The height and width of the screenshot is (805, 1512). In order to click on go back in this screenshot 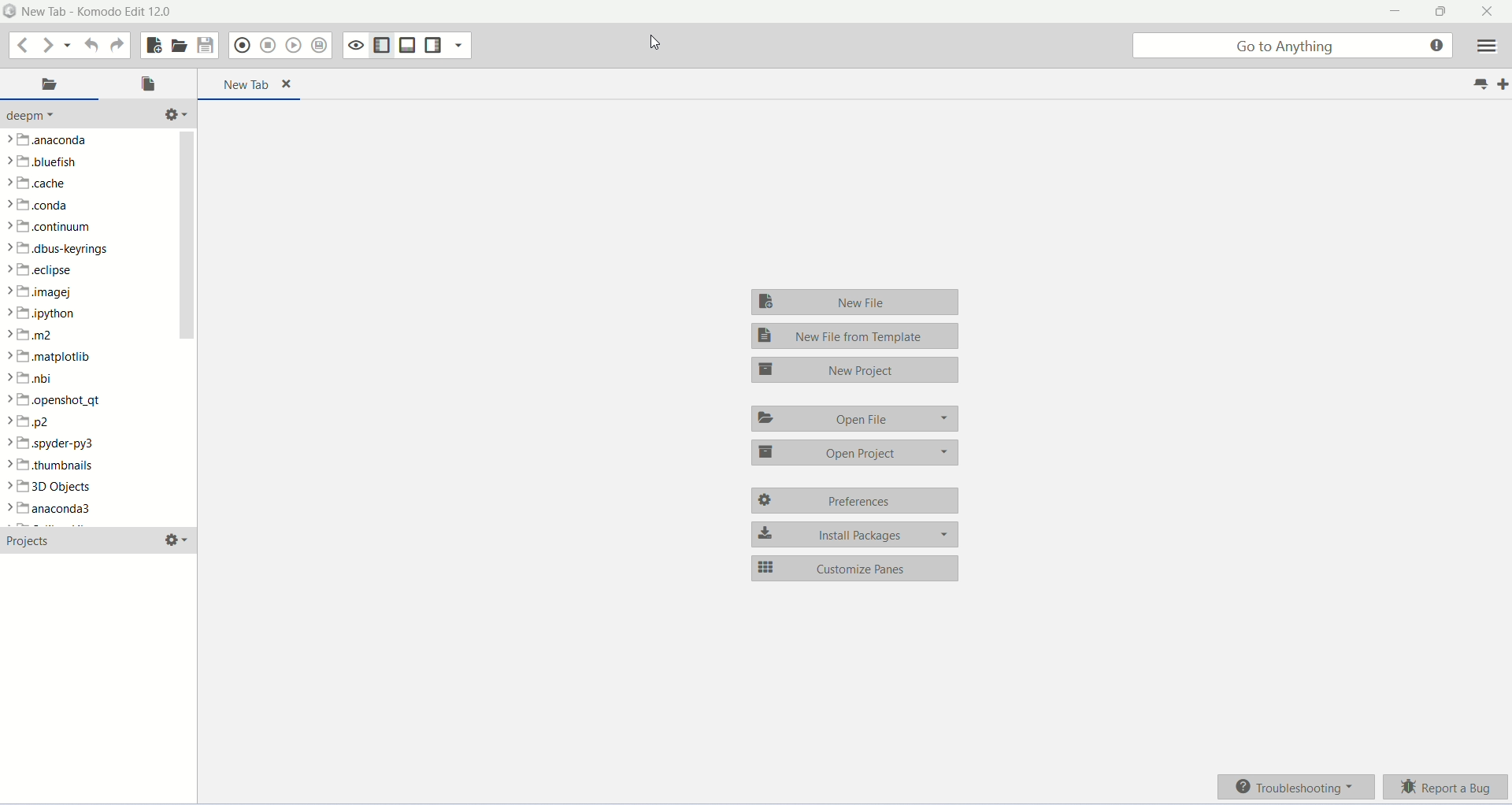, I will do `click(23, 45)`.